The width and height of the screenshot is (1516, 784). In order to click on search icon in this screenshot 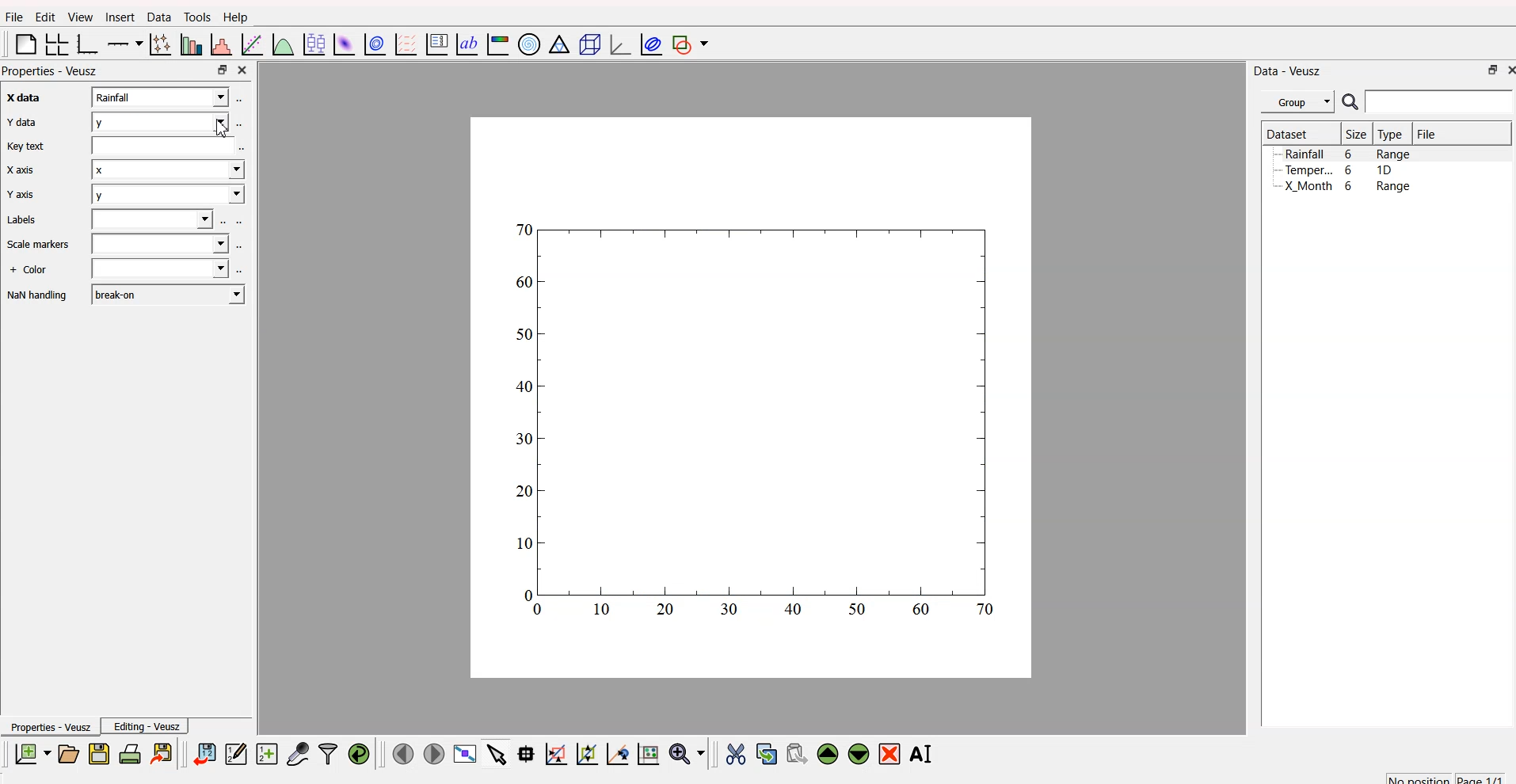, I will do `click(1350, 102)`.